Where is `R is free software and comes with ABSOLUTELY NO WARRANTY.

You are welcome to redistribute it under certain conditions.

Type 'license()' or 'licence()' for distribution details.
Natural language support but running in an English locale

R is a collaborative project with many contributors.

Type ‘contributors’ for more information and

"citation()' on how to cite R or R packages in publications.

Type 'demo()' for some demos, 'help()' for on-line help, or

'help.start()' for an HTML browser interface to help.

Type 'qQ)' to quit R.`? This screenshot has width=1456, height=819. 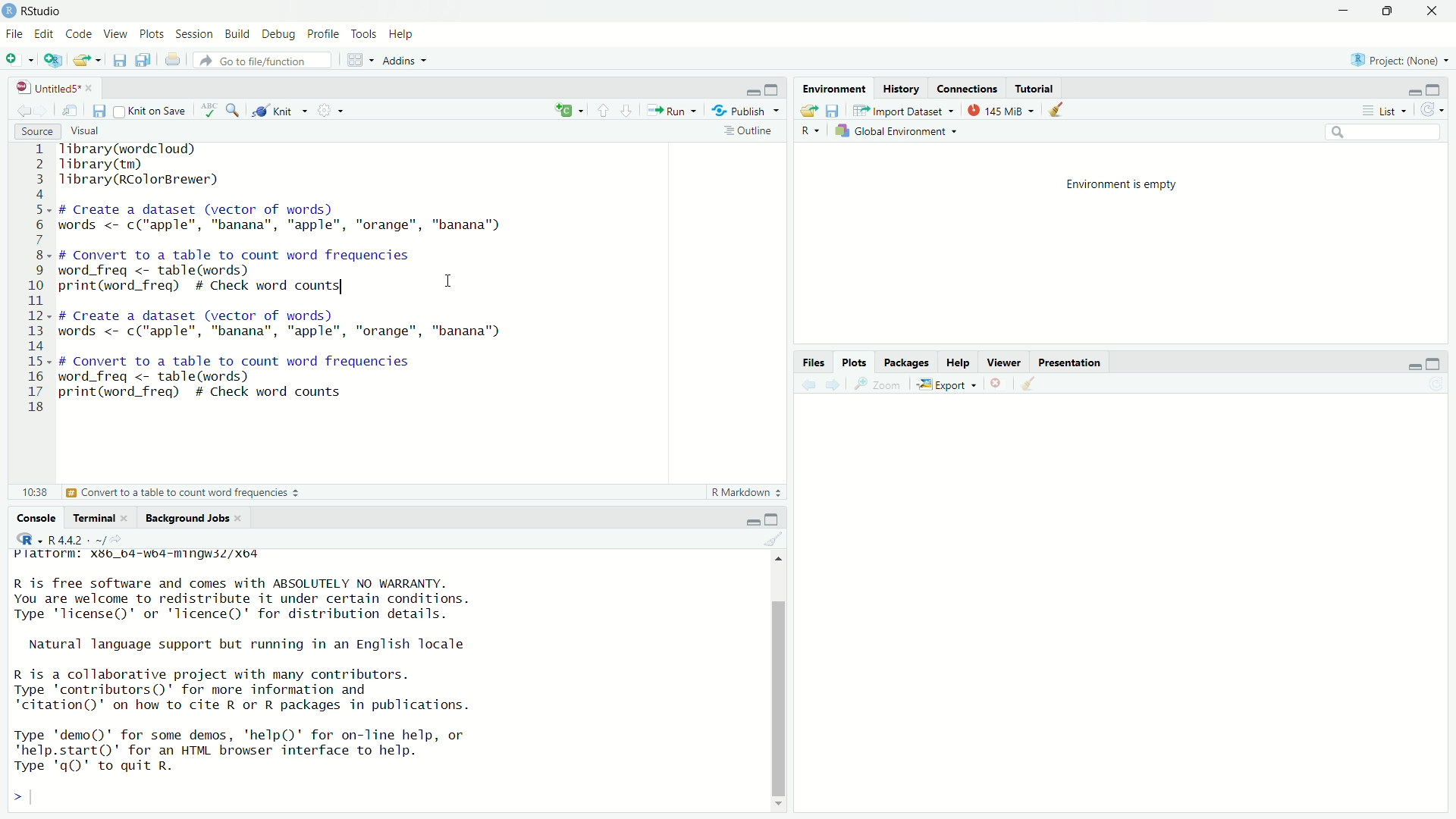
R is free software and comes with ABSOLUTELY NO WARRANTY.

You are welcome to redistribute it under certain conditions.

Type 'license()' or 'licence()' for distribution details.
Natural language support but running in an English locale

R is a collaborative project with many contributors.

Type ‘contributors’ for more information and

"citation()' on how to cite R or R packages in publications.

Type 'demo()' for some demos, 'help()' for on-line help, or

'help.start()' for an HTML browser interface to help.

Type 'qQ)' to quit R. is located at coordinates (244, 664).